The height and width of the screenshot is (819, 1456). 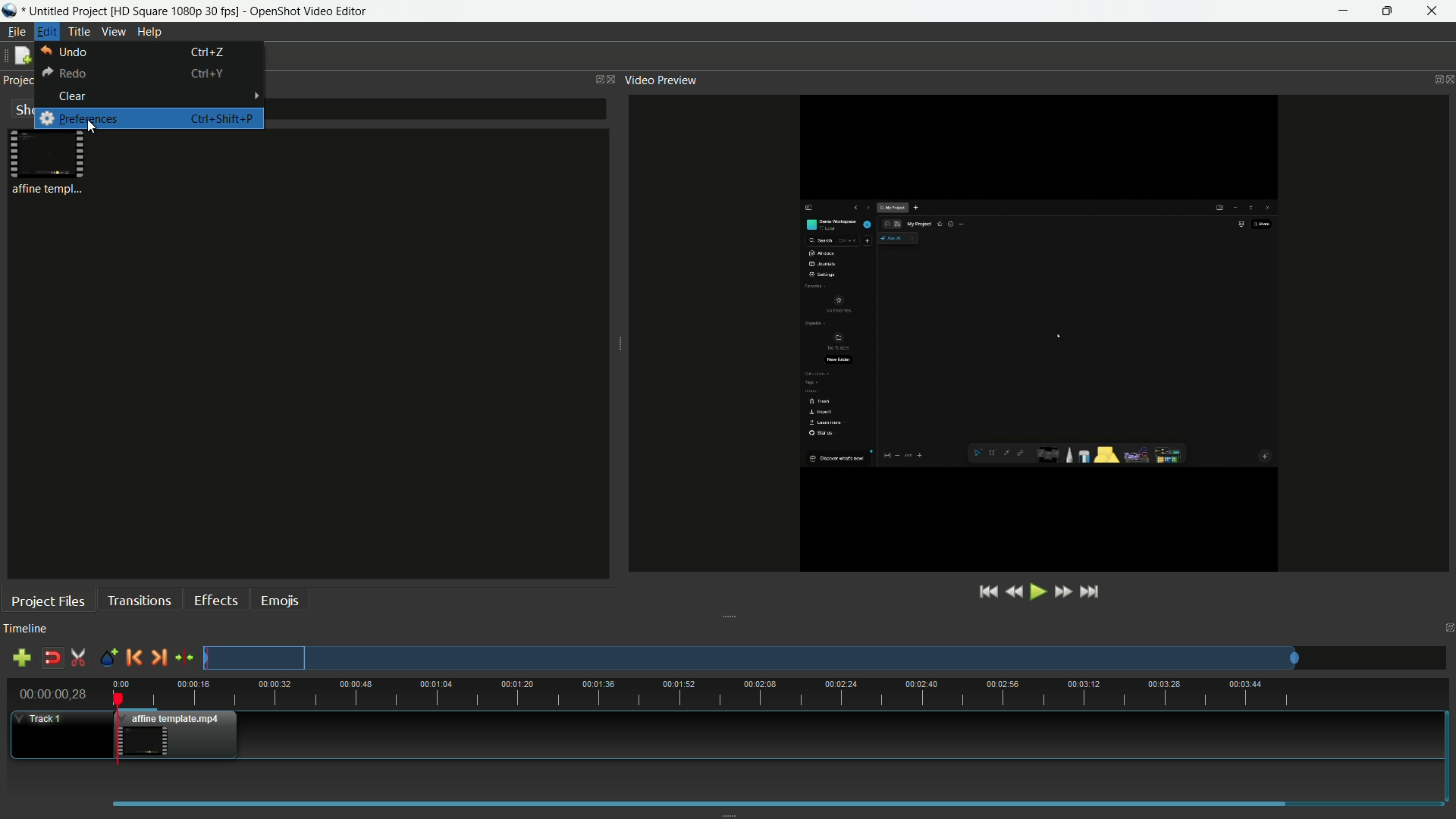 What do you see at coordinates (49, 165) in the screenshot?
I see `project file` at bounding box center [49, 165].